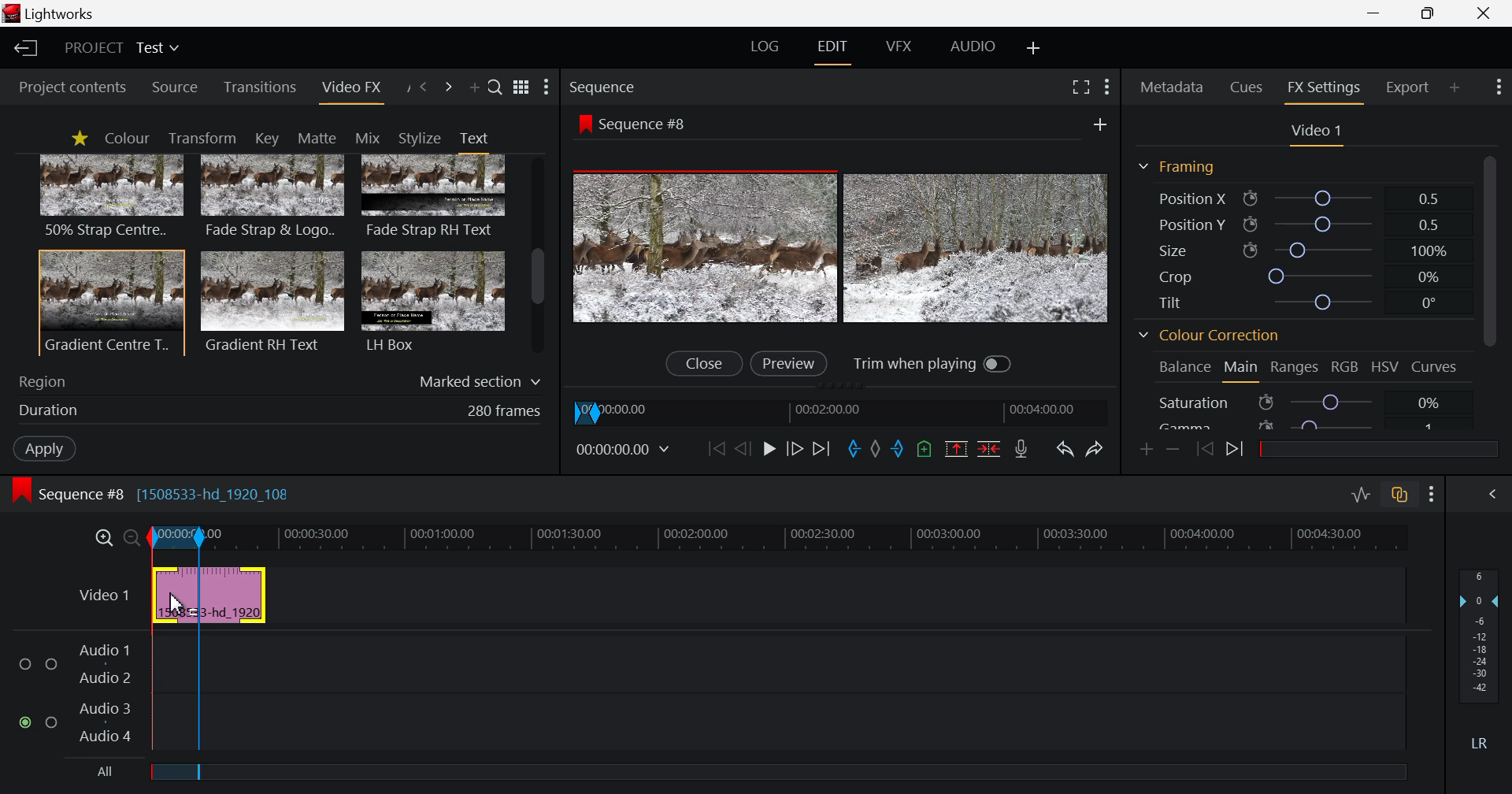 This screenshot has height=794, width=1512. I want to click on VFX Layout, so click(902, 46).